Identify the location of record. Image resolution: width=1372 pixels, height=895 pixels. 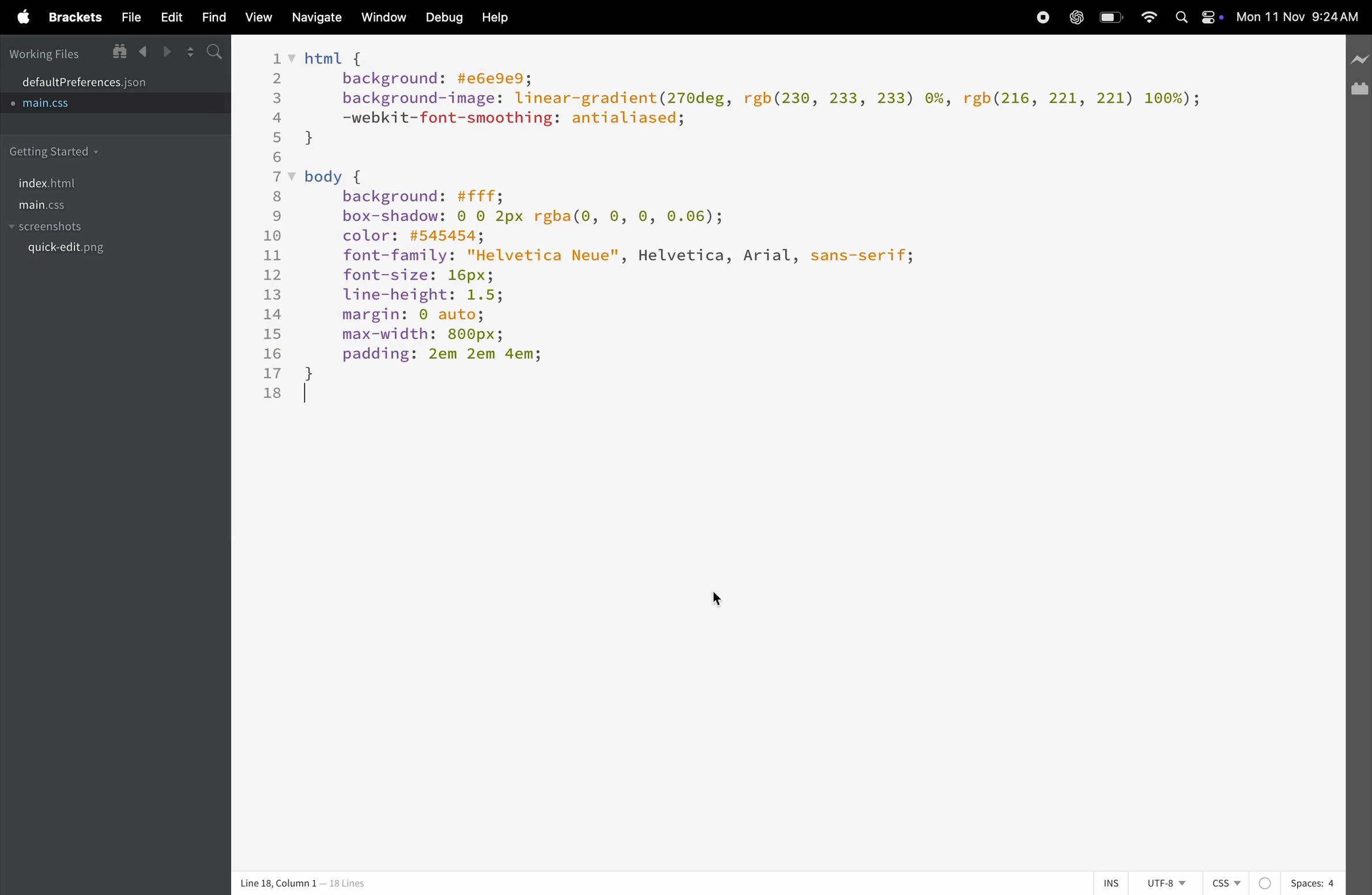
(1039, 17).